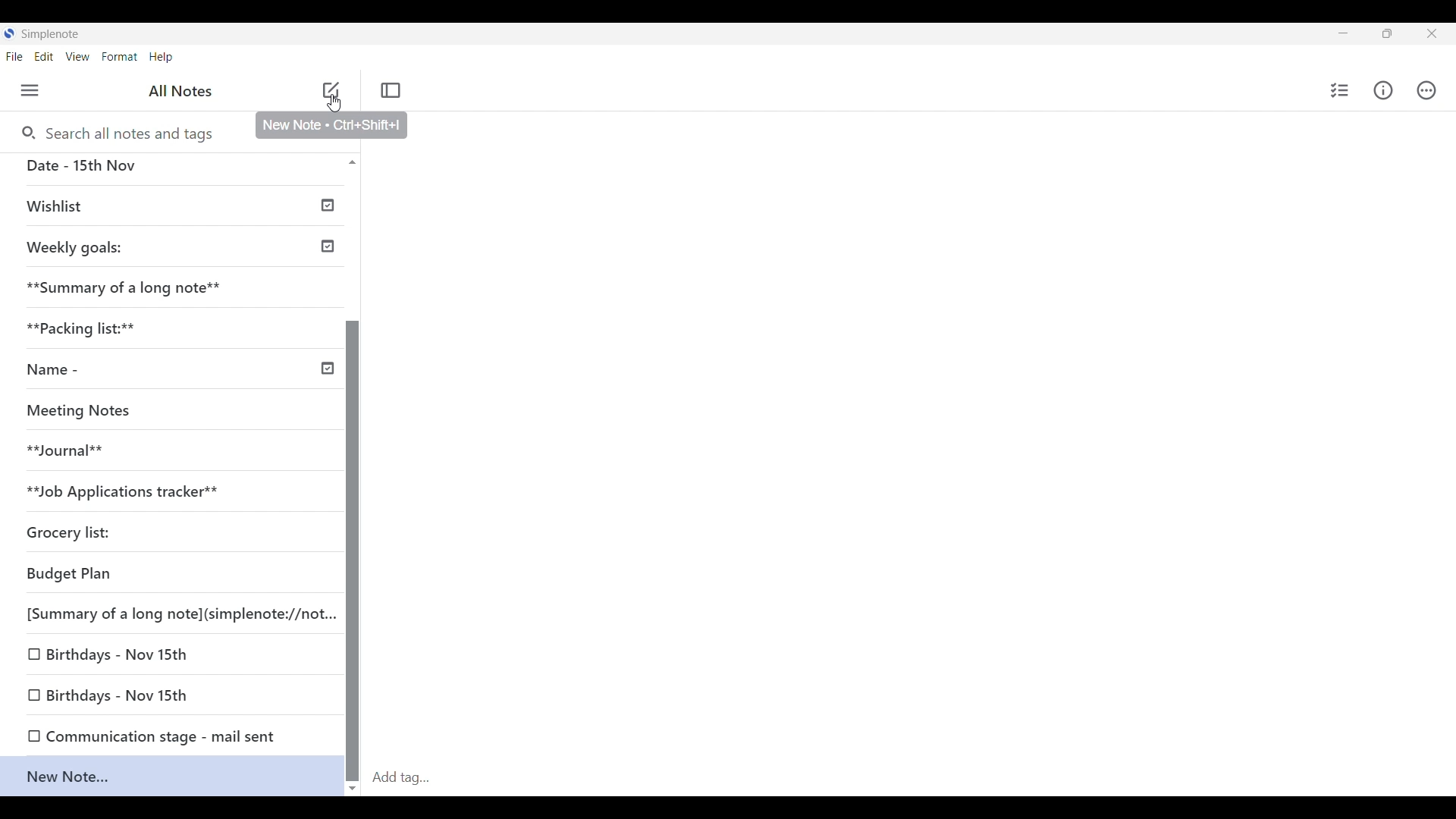 The image size is (1456, 819). I want to click on Quick slide to top, so click(353, 162).